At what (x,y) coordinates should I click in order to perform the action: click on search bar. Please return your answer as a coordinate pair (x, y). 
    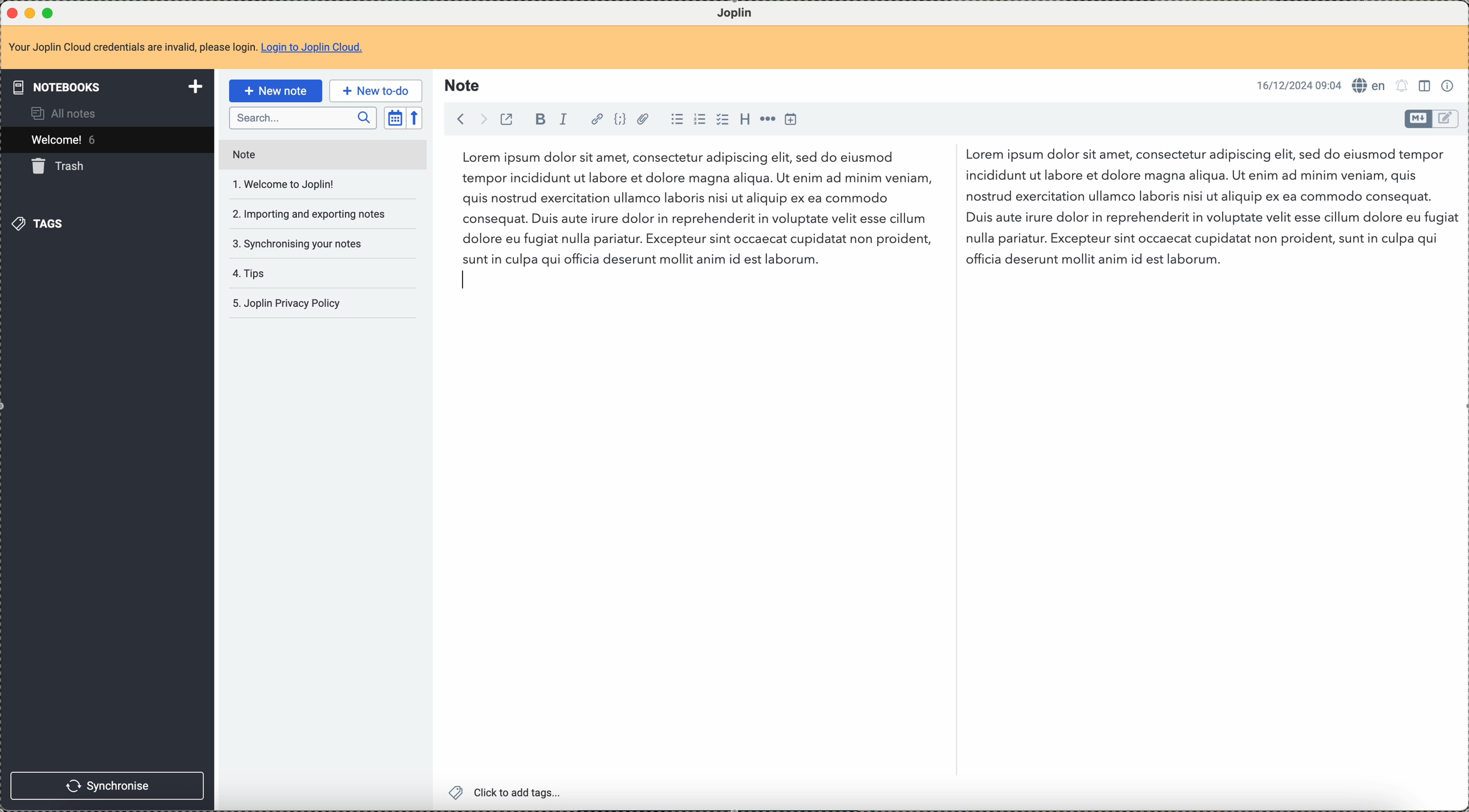
    Looking at the image, I should click on (302, 118).